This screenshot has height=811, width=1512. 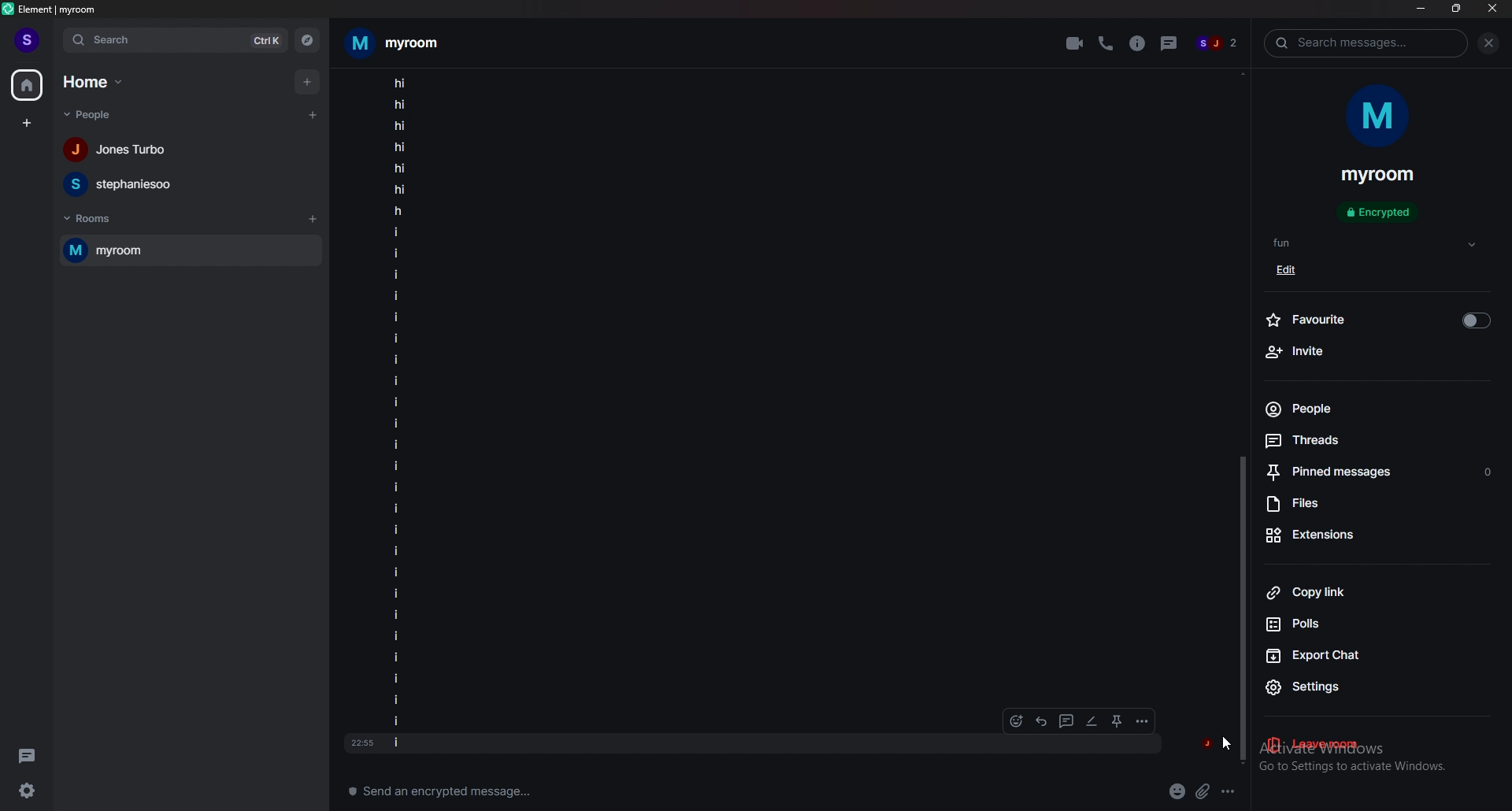 I want to click on minimize, so click(x=1421, y=9).